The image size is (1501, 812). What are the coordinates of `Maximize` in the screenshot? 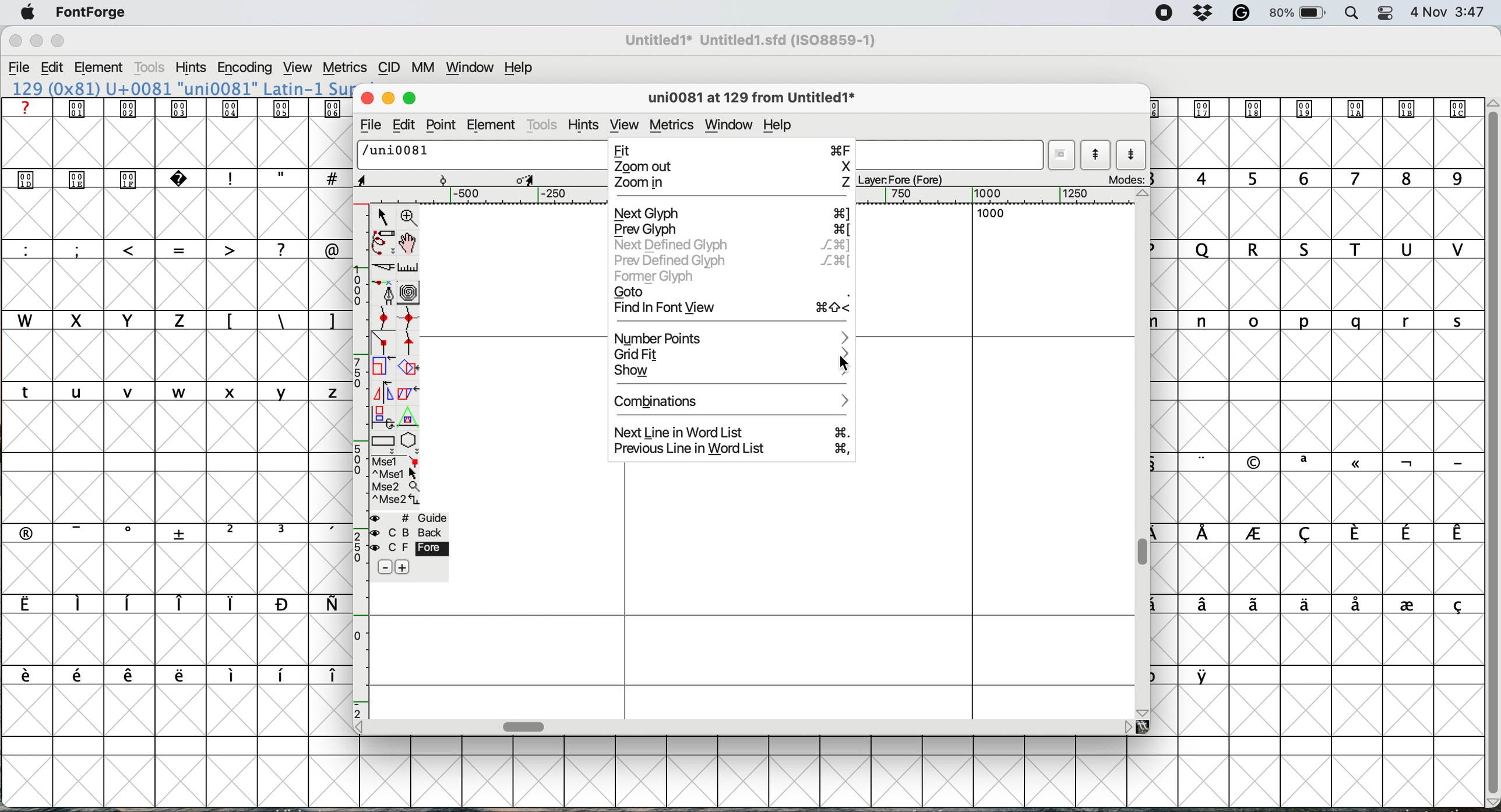 It's located at (57, 41).